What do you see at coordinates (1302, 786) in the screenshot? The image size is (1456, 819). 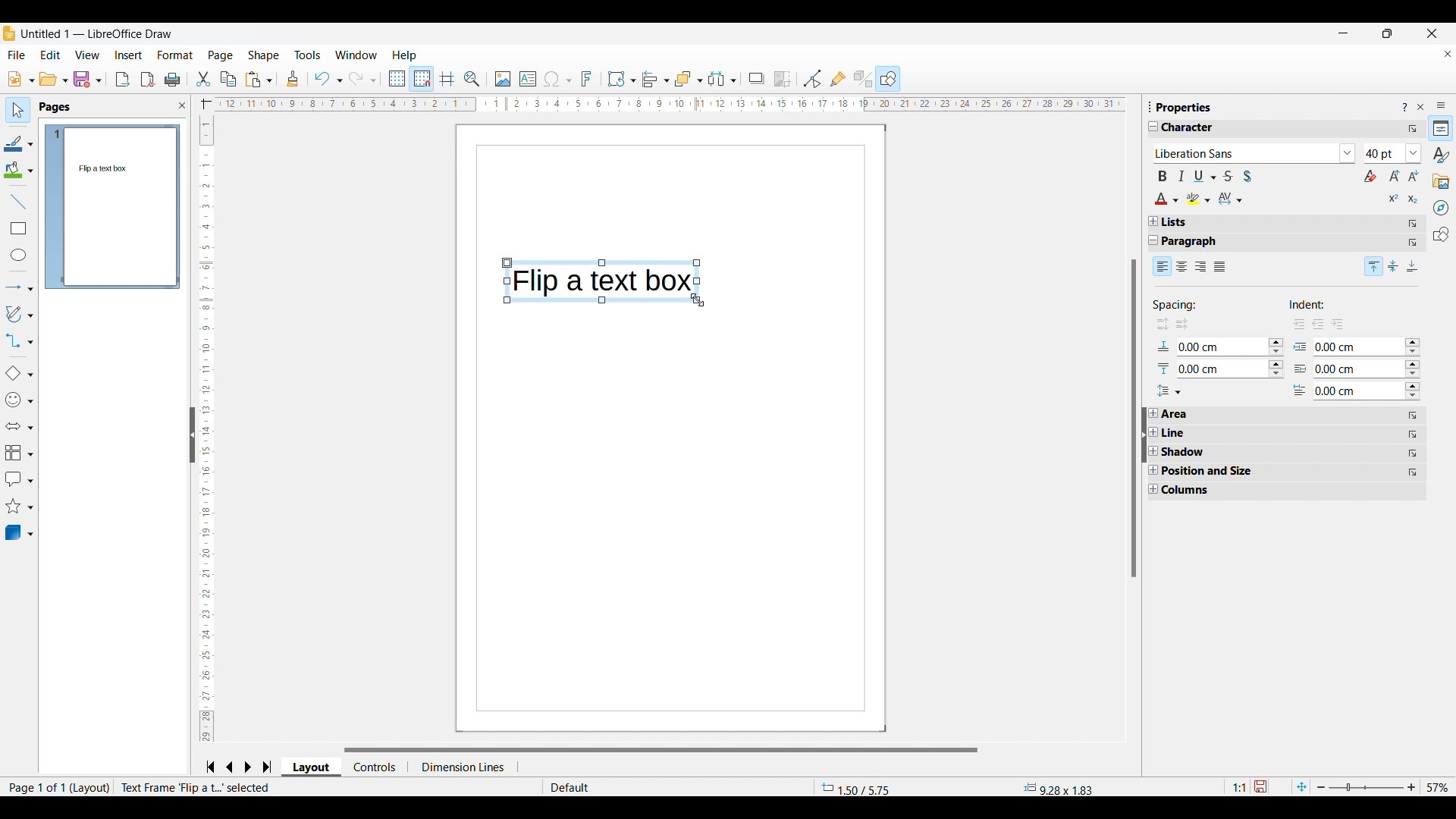 I see `Fit page to current window` at bounding box center [1302, 786].